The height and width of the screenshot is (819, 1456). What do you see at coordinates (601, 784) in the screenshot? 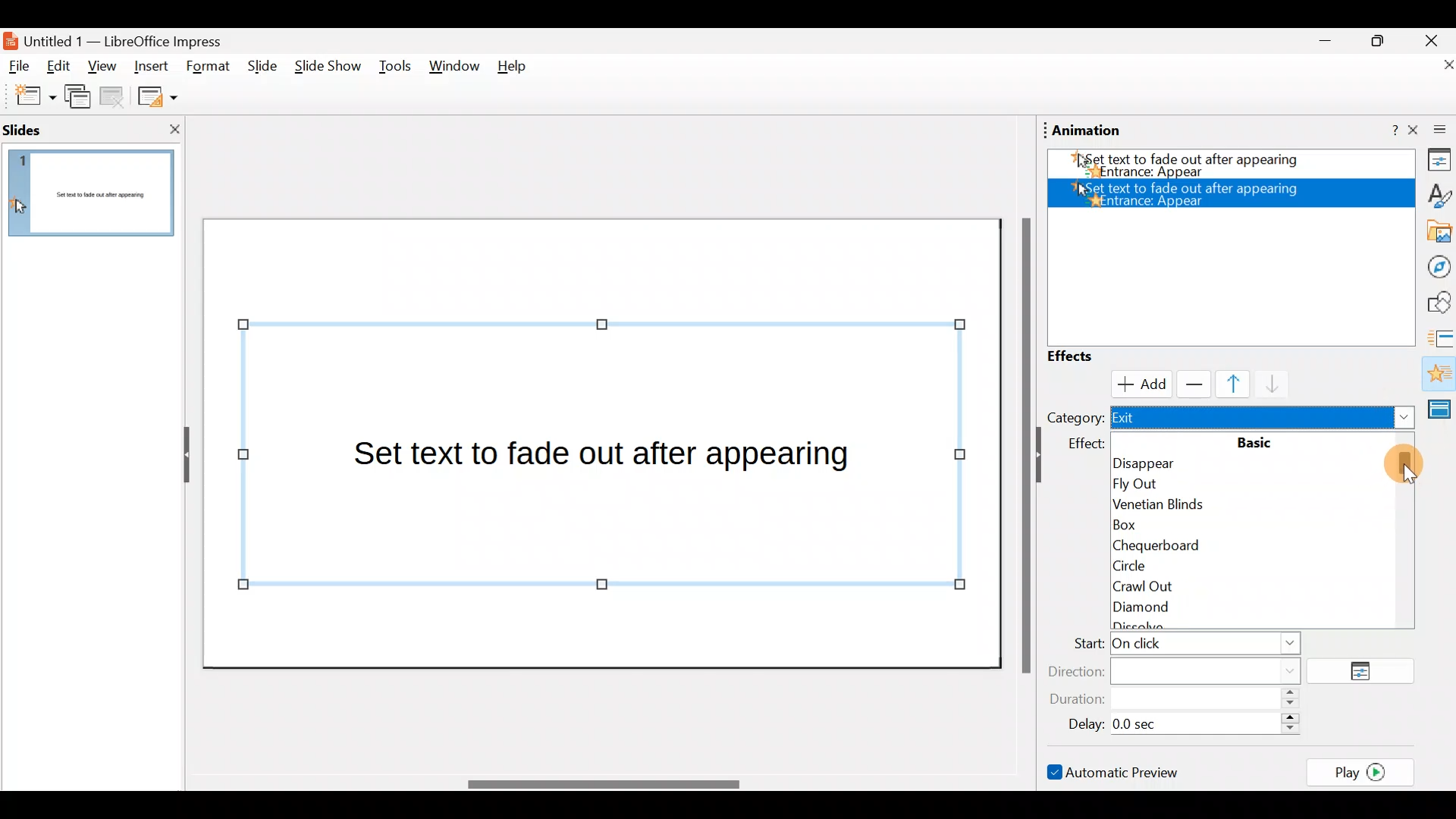
I see `Scroll bar` at bounding box center [601, 784].